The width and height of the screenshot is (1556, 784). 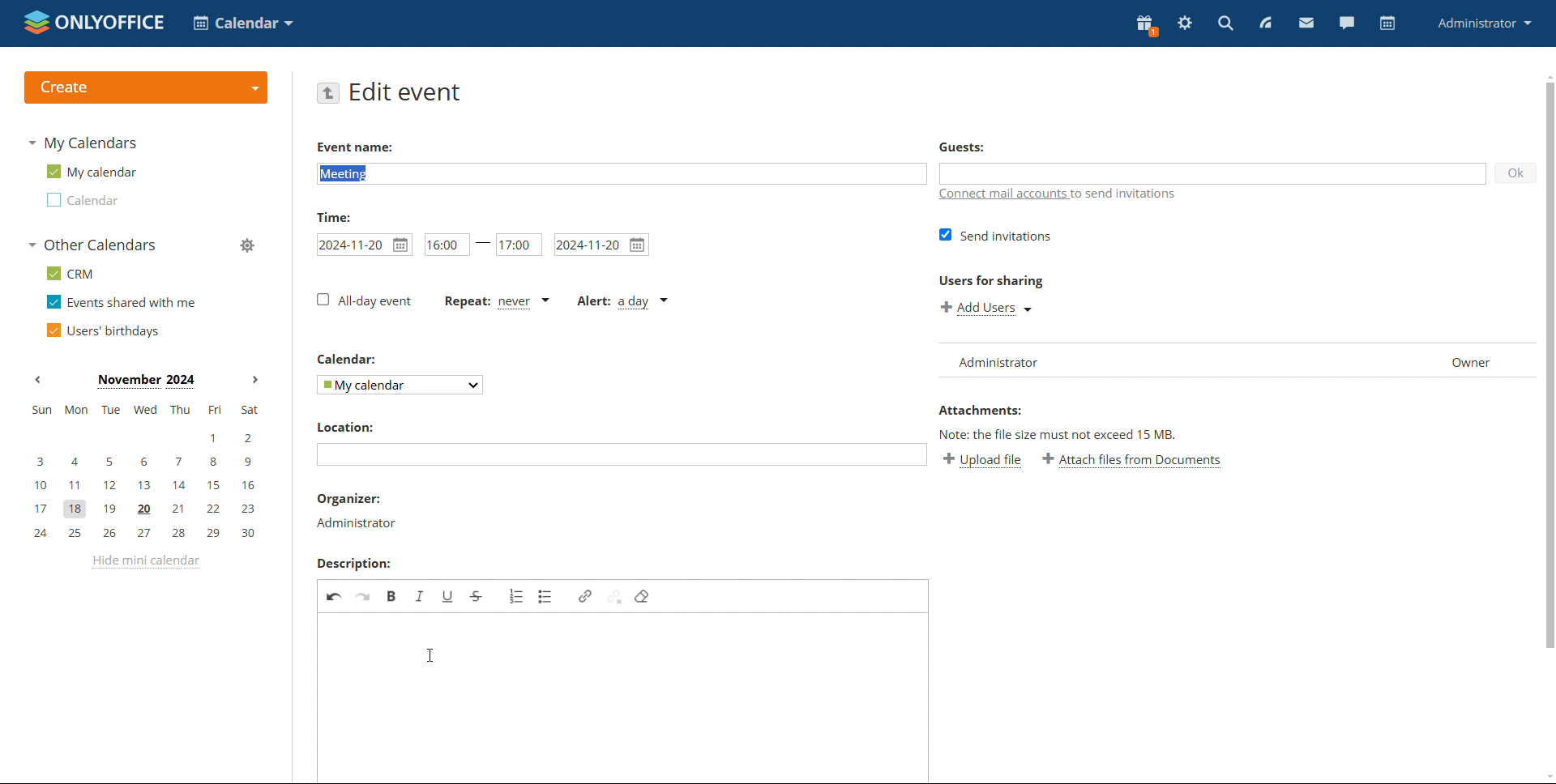 What do you see at coordinates (420, 596) in the screenshot?
I see `italic` at bounding box center [420, 596].